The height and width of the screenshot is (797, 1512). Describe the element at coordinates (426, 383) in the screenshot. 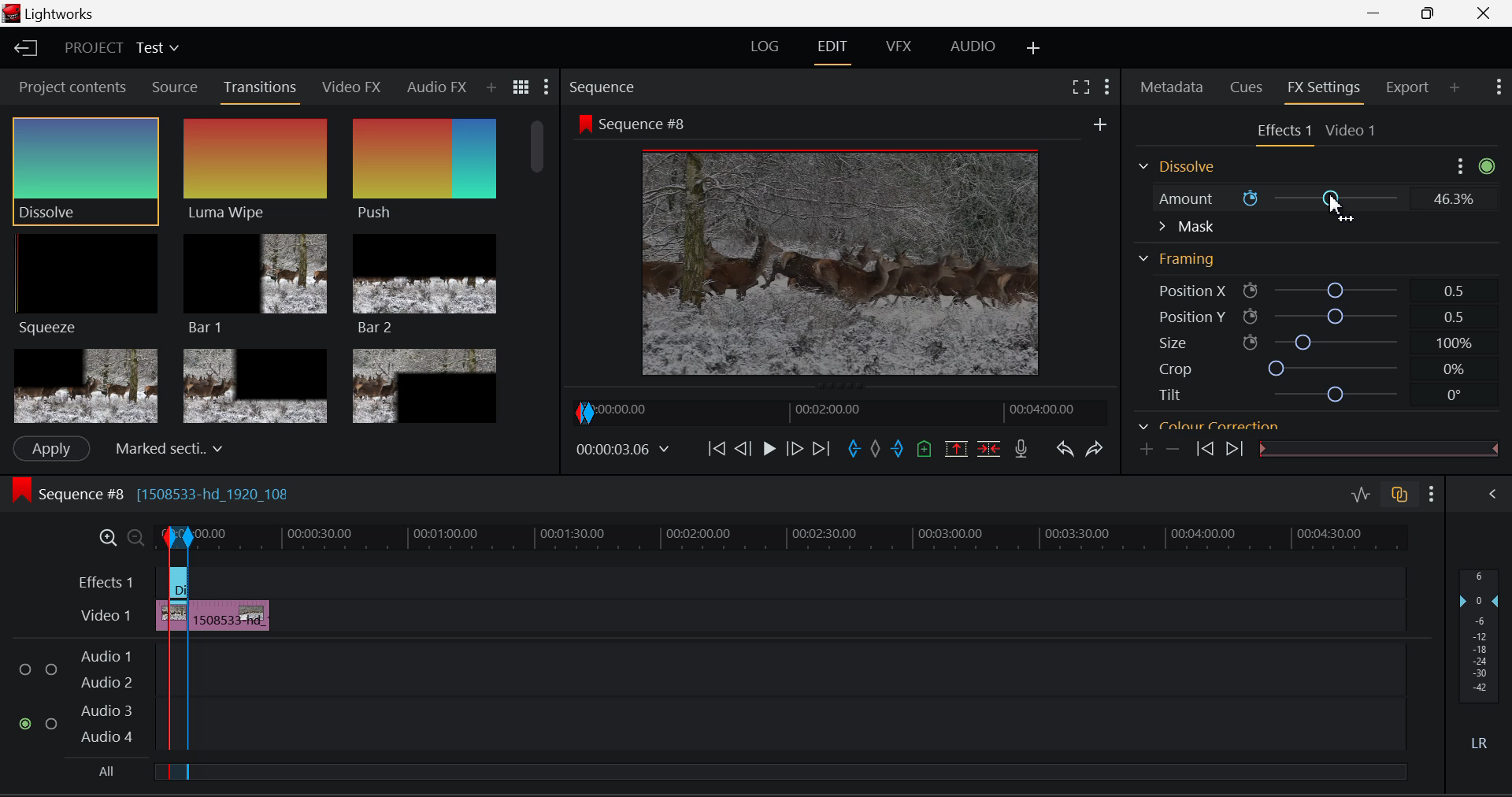

I see `Box 3` at that location.